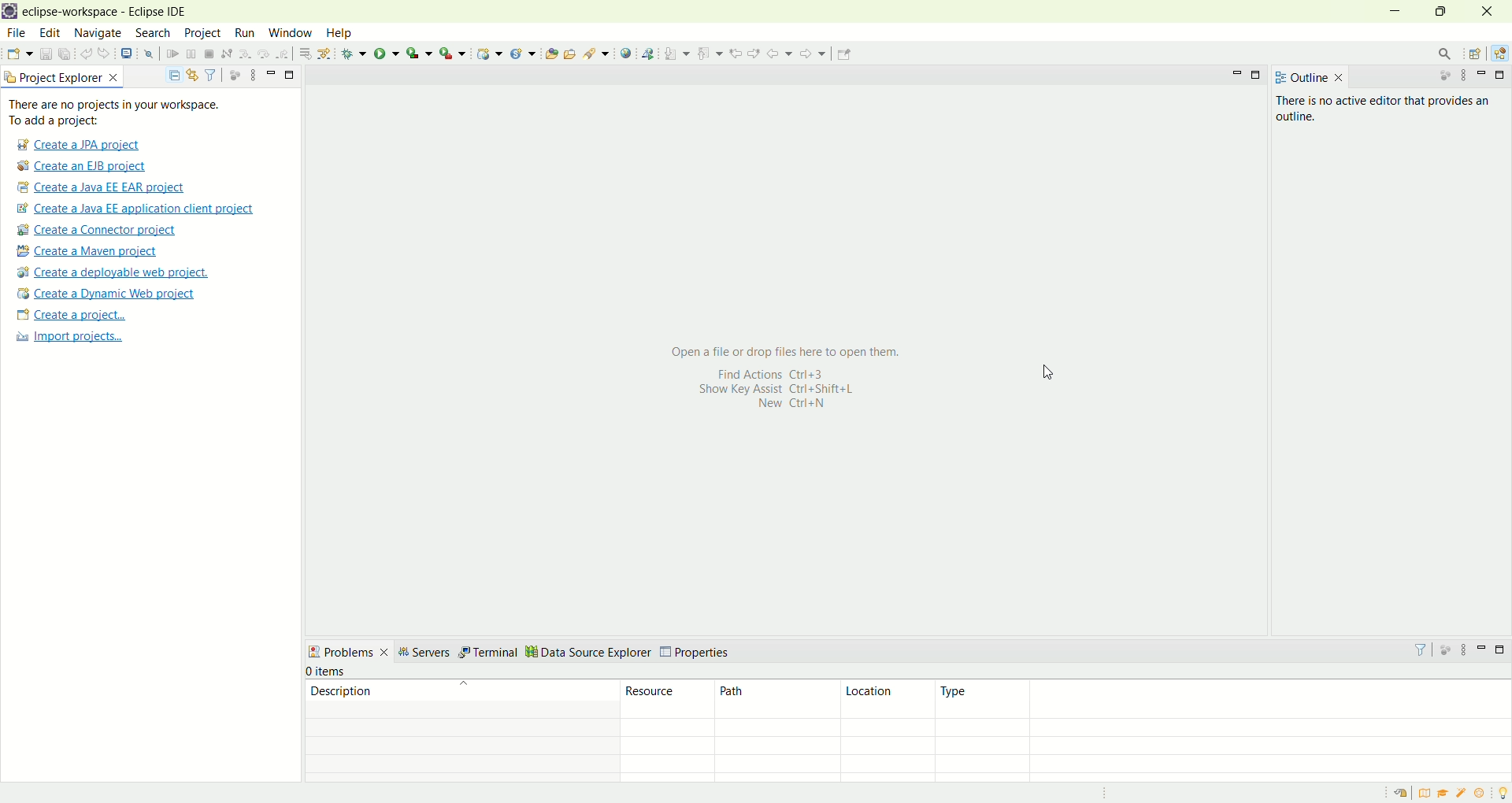  Describe the element at coordinates (813, 52) in the screenshot. I see `forward` at that location.